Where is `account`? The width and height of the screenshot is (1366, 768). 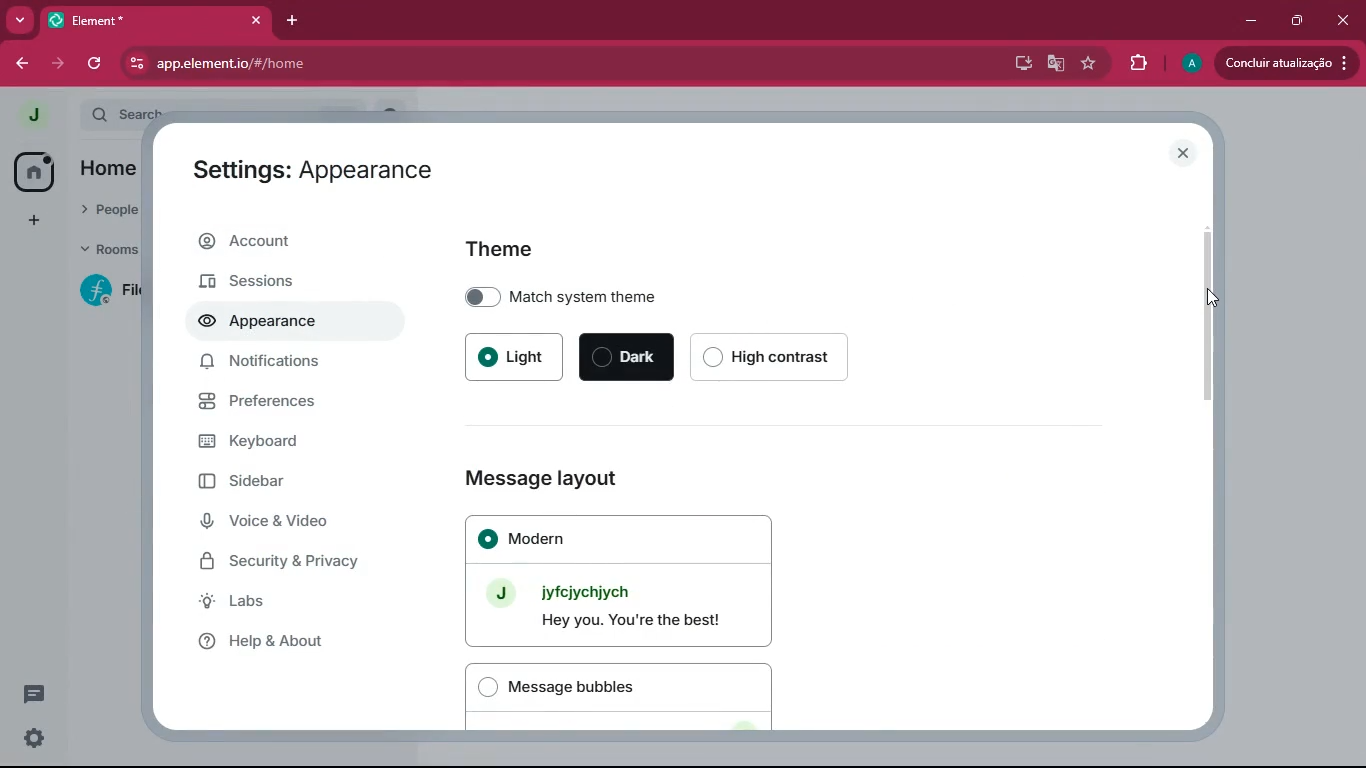
account is located at coordinates (289, 242).